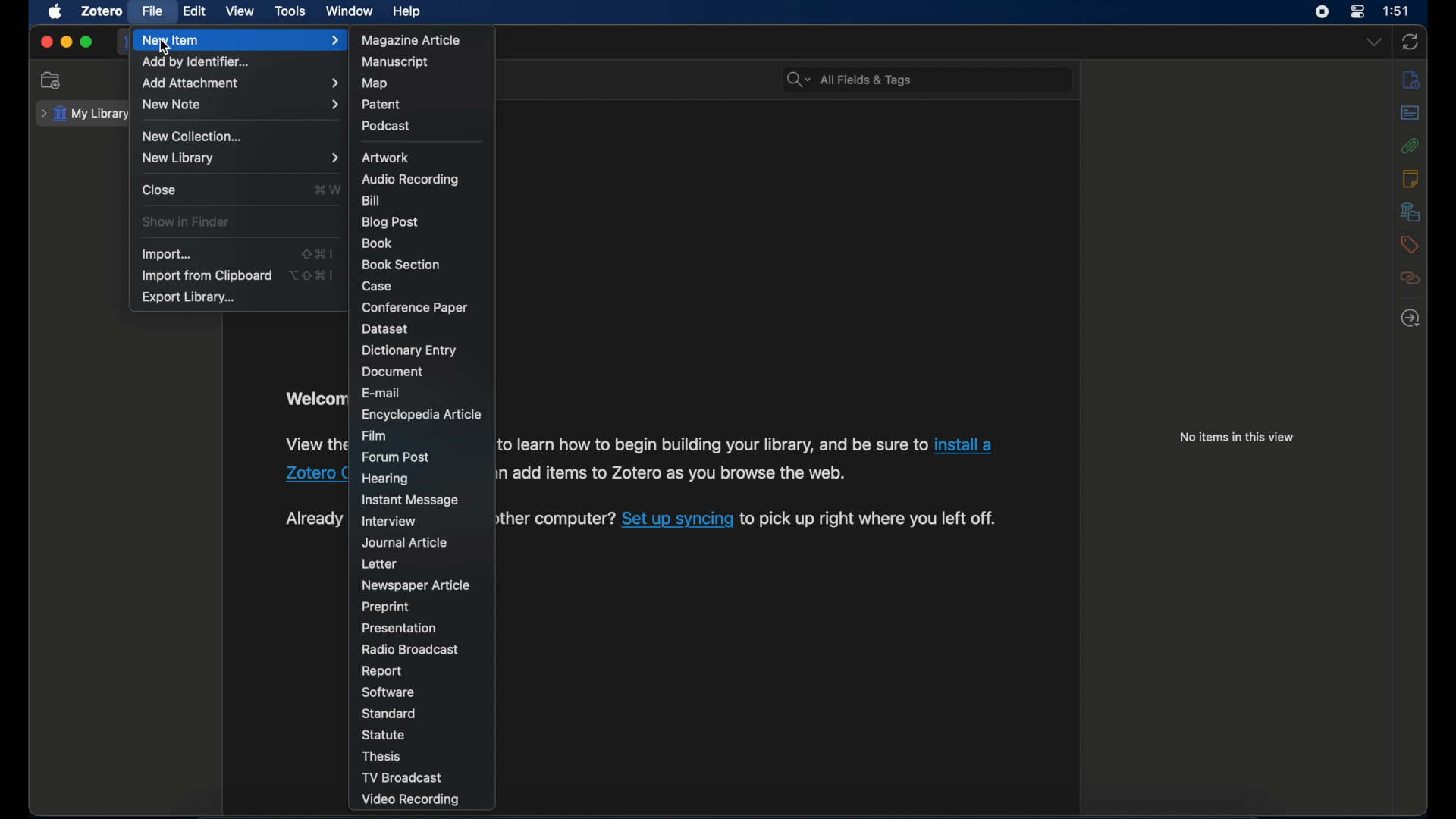 The height and width of the screenshot is (819, 1456). What do you see at coordinates (1411, 81) in the screenshot?
I see `info` at bounding box center [1411, 81].